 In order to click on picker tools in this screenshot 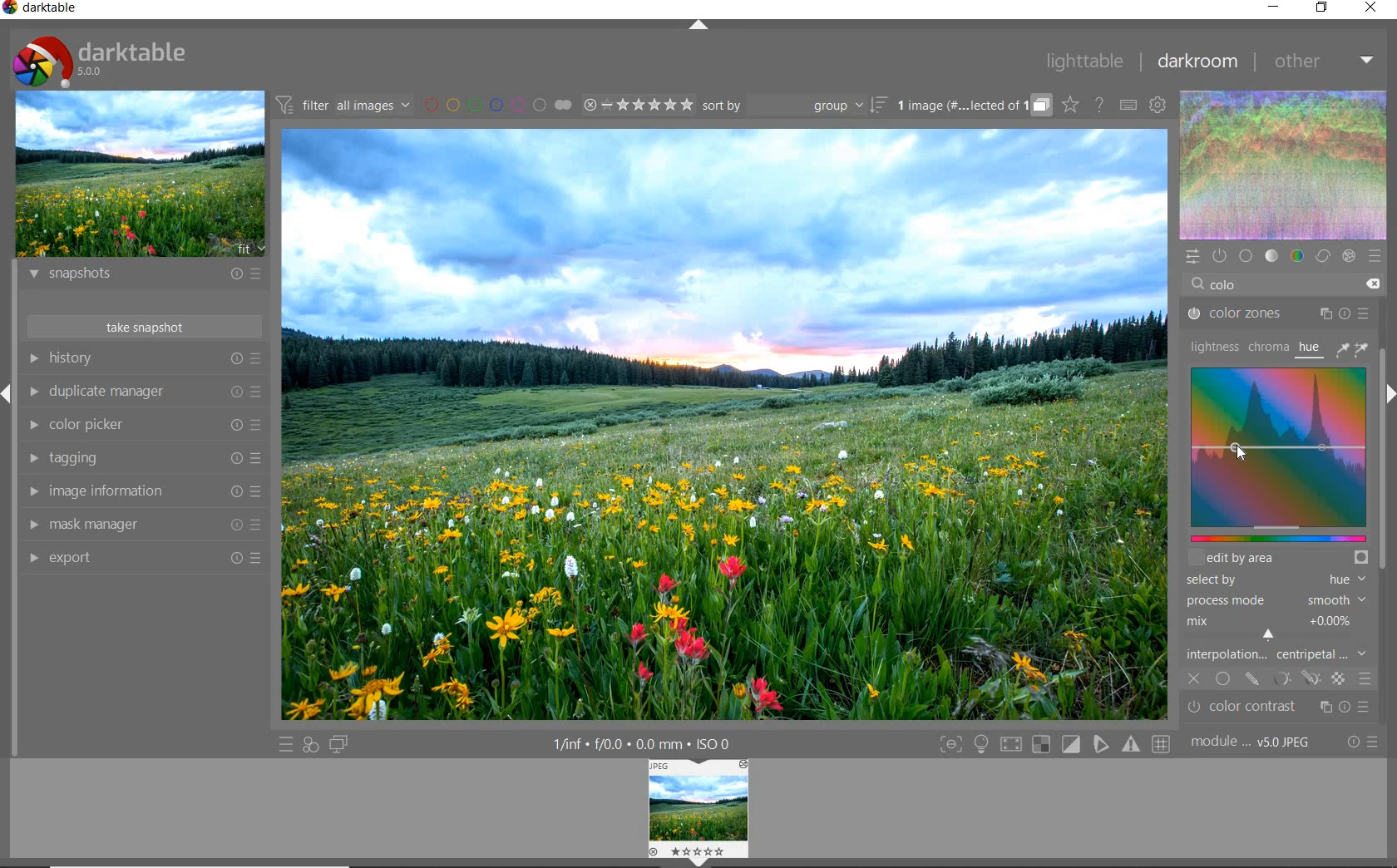, I will do `click(1355, 348)`.